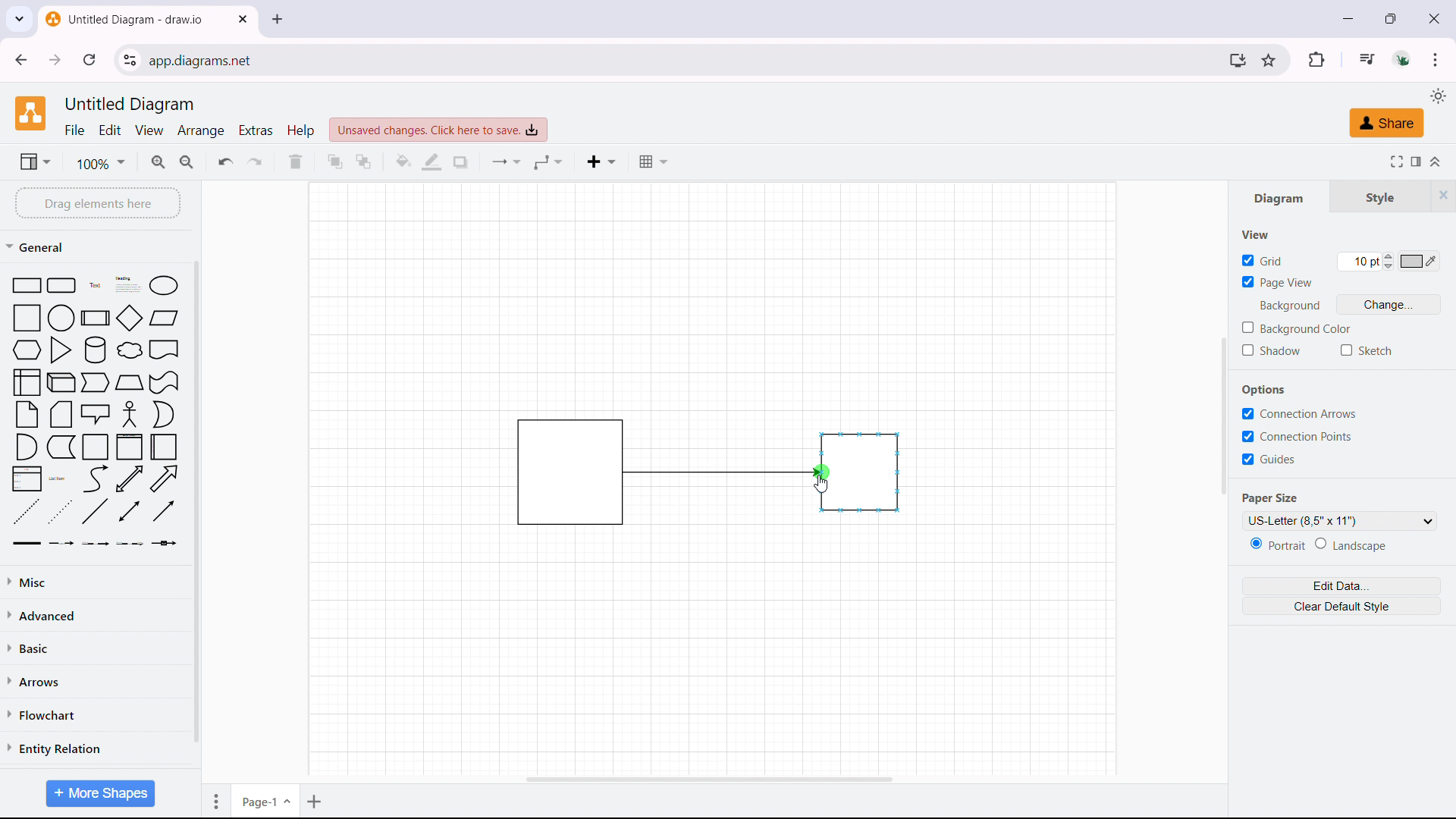  I want to click on extensions, so click(1316, 59).